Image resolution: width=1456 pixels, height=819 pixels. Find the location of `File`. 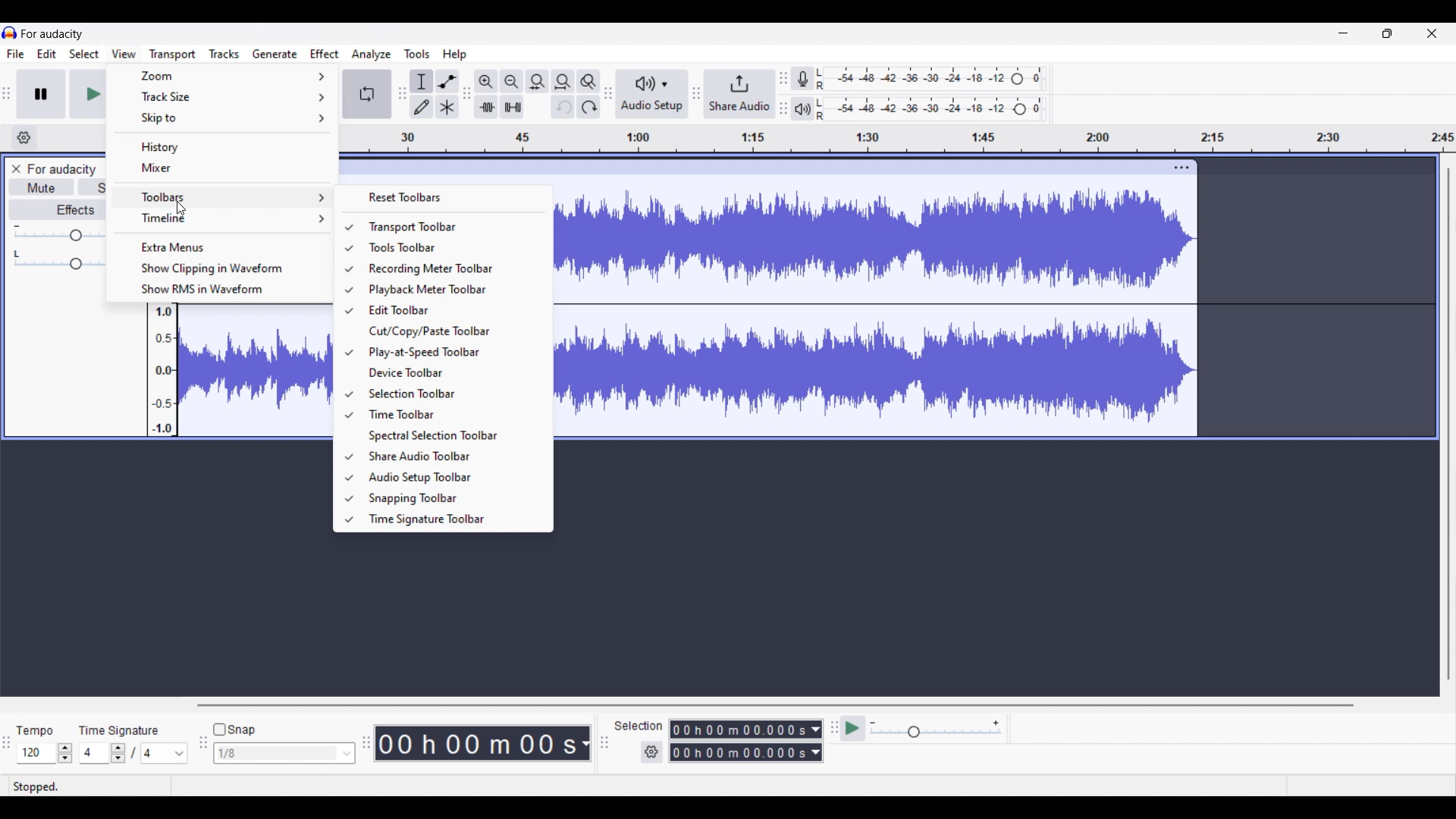

File is located at coordinates (16, 54).